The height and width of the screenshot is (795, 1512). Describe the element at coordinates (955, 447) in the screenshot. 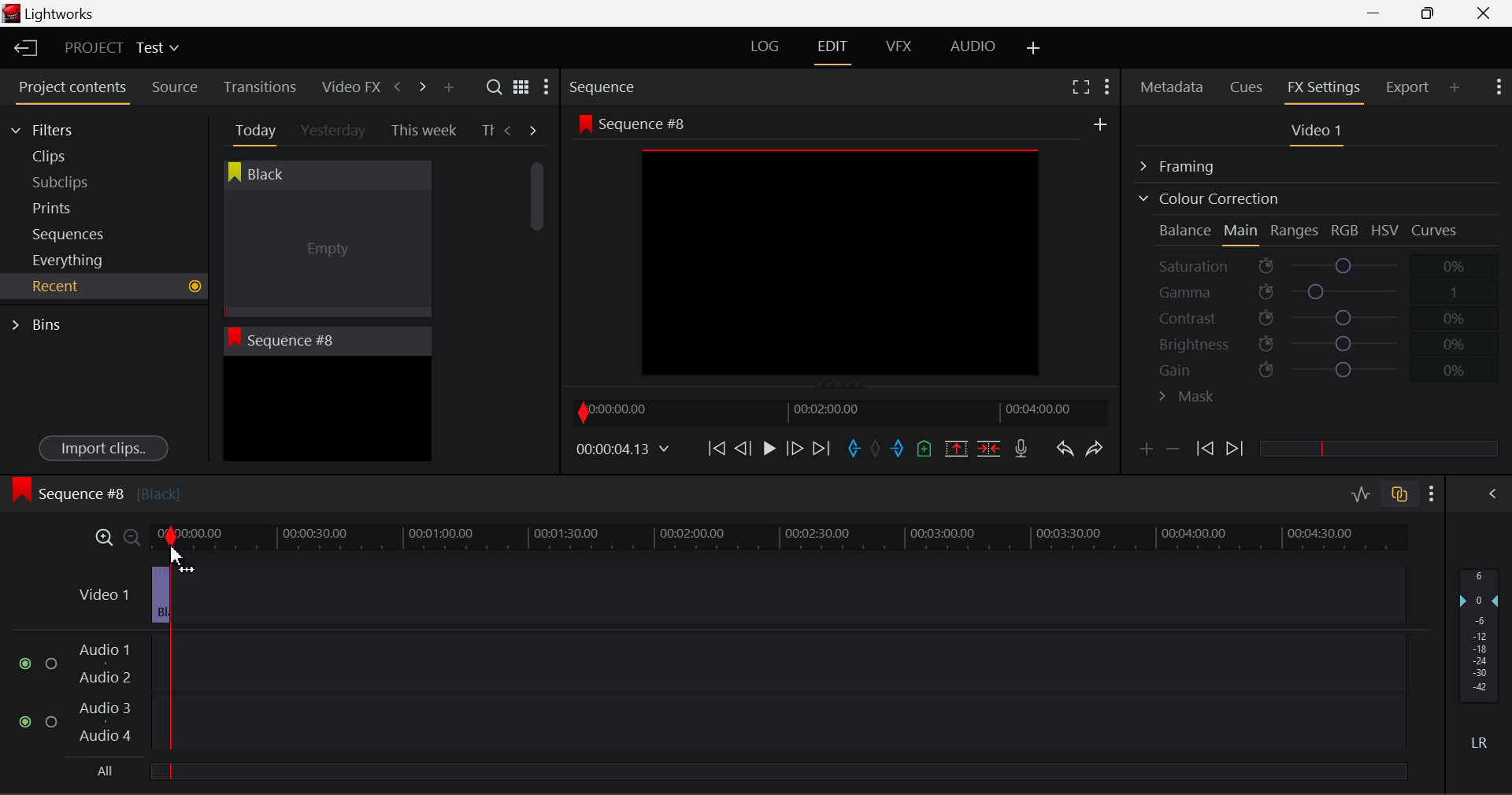

I see `Remove marked section` at that location.